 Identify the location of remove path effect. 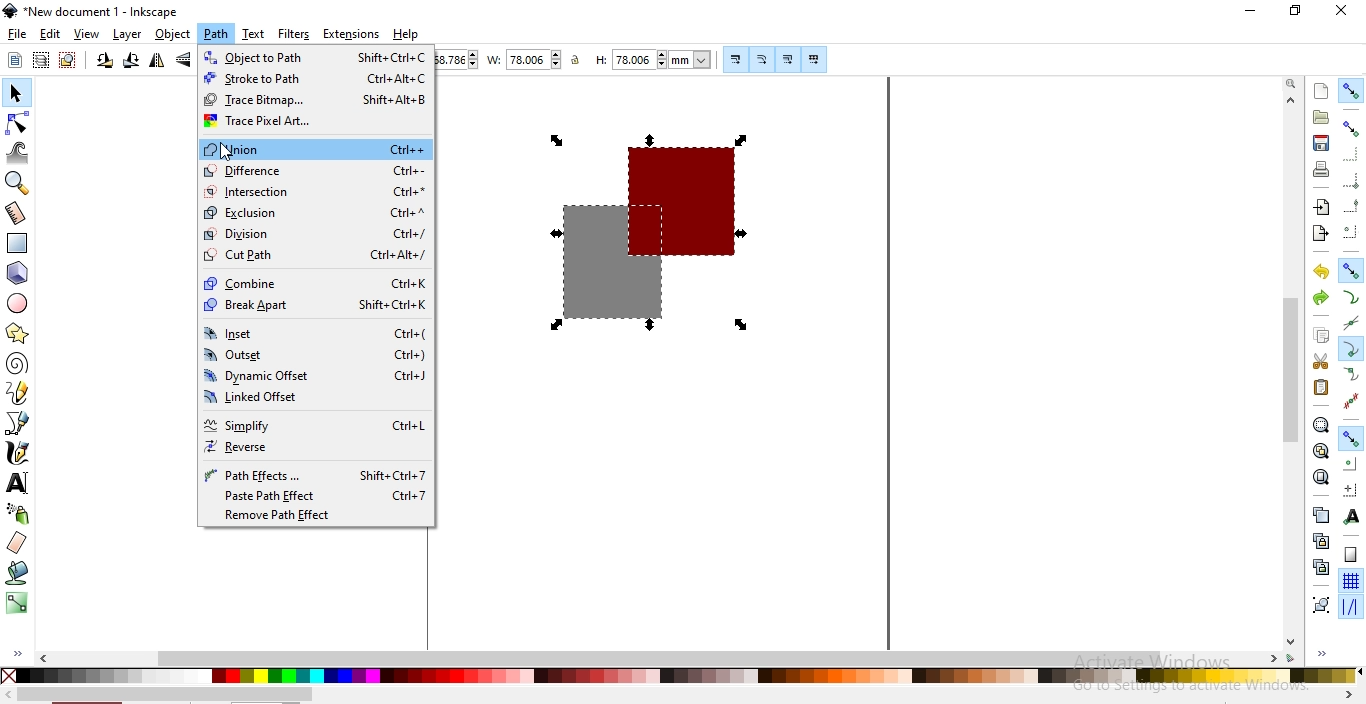
(318, 515).